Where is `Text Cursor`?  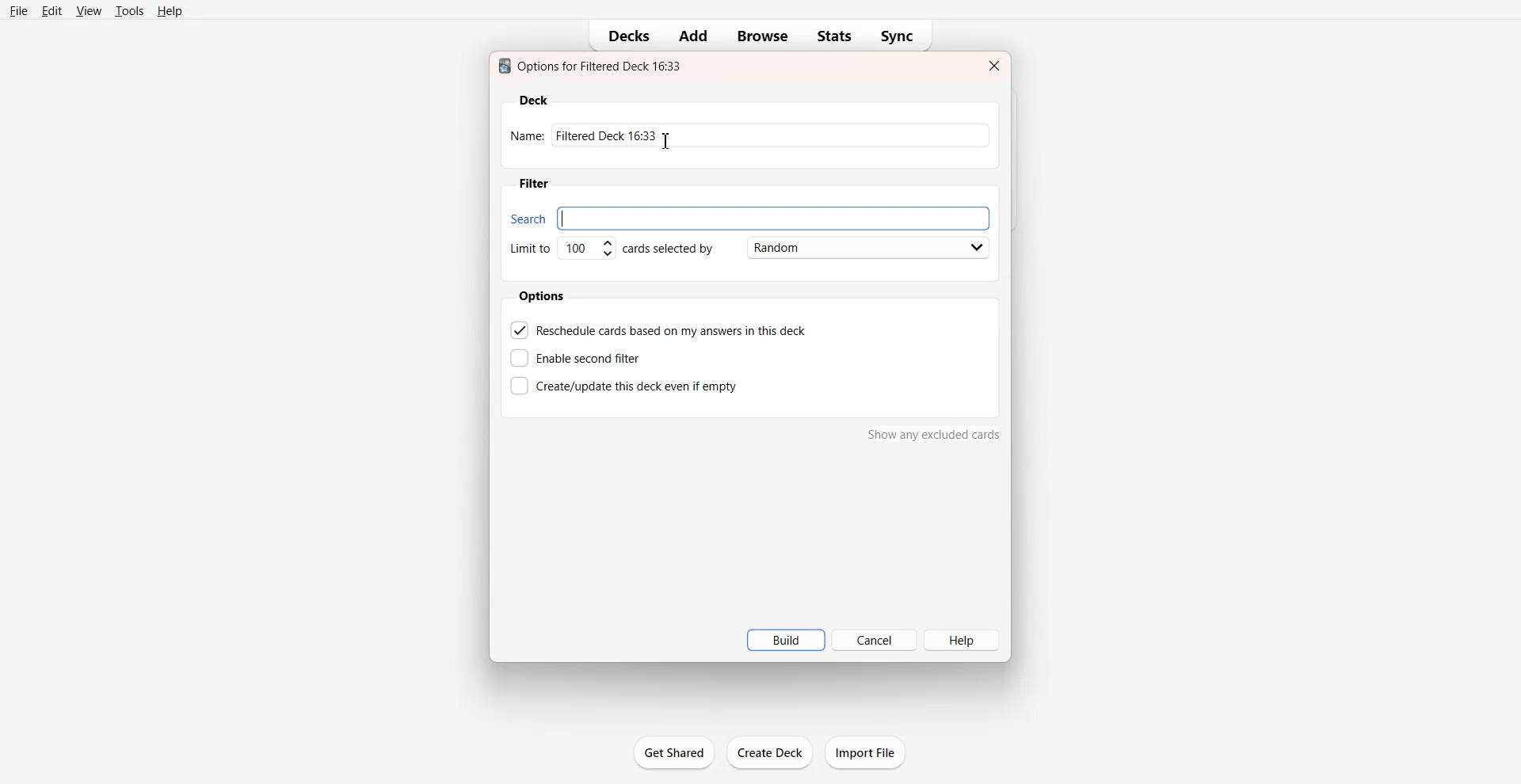
Text Cursor is located at coordinates (665, 139).